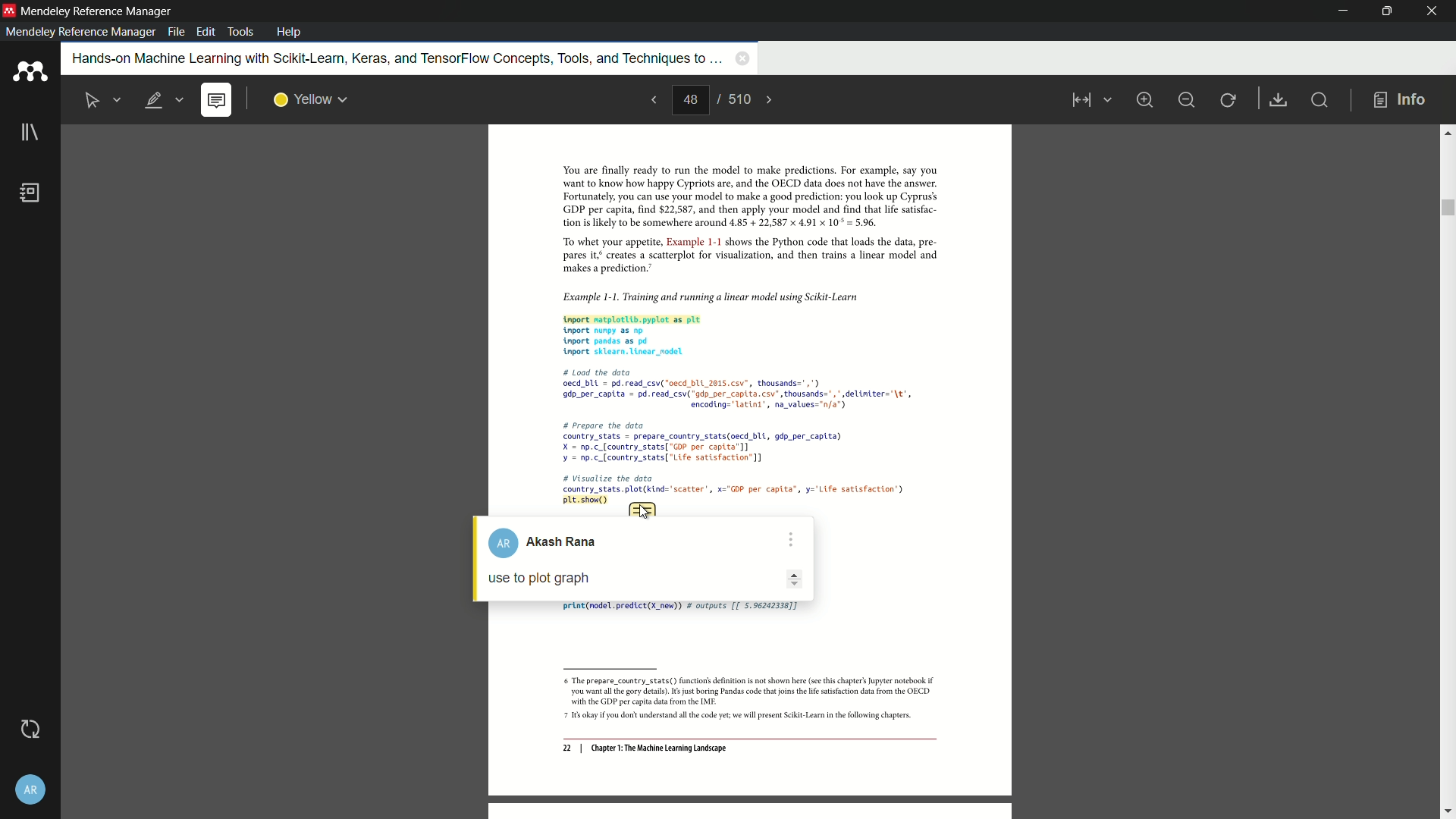  I want to click on profile name, so click(551, 543).